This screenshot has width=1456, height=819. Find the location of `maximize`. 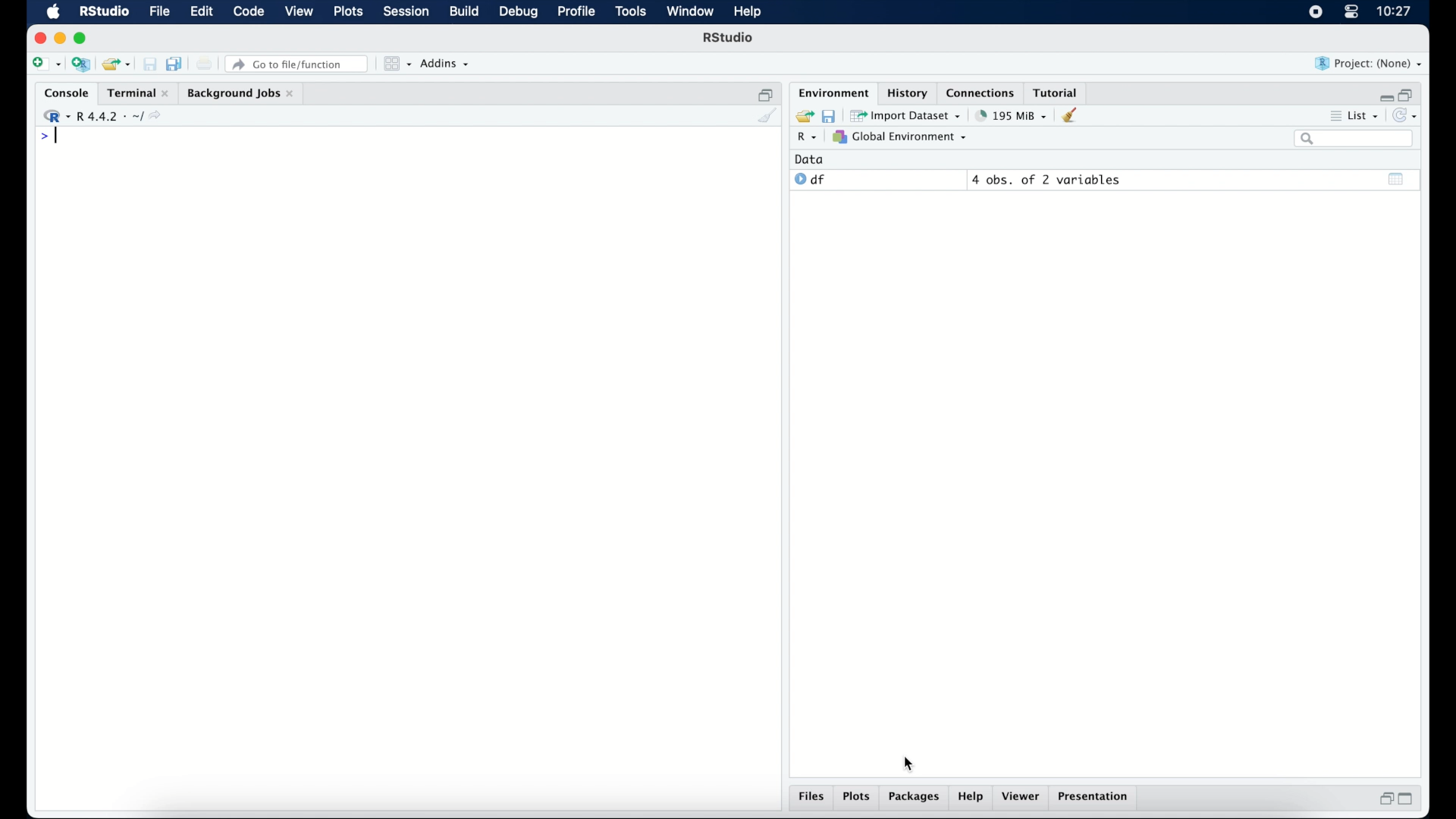

maximize is located at coordinates (1410, 799).